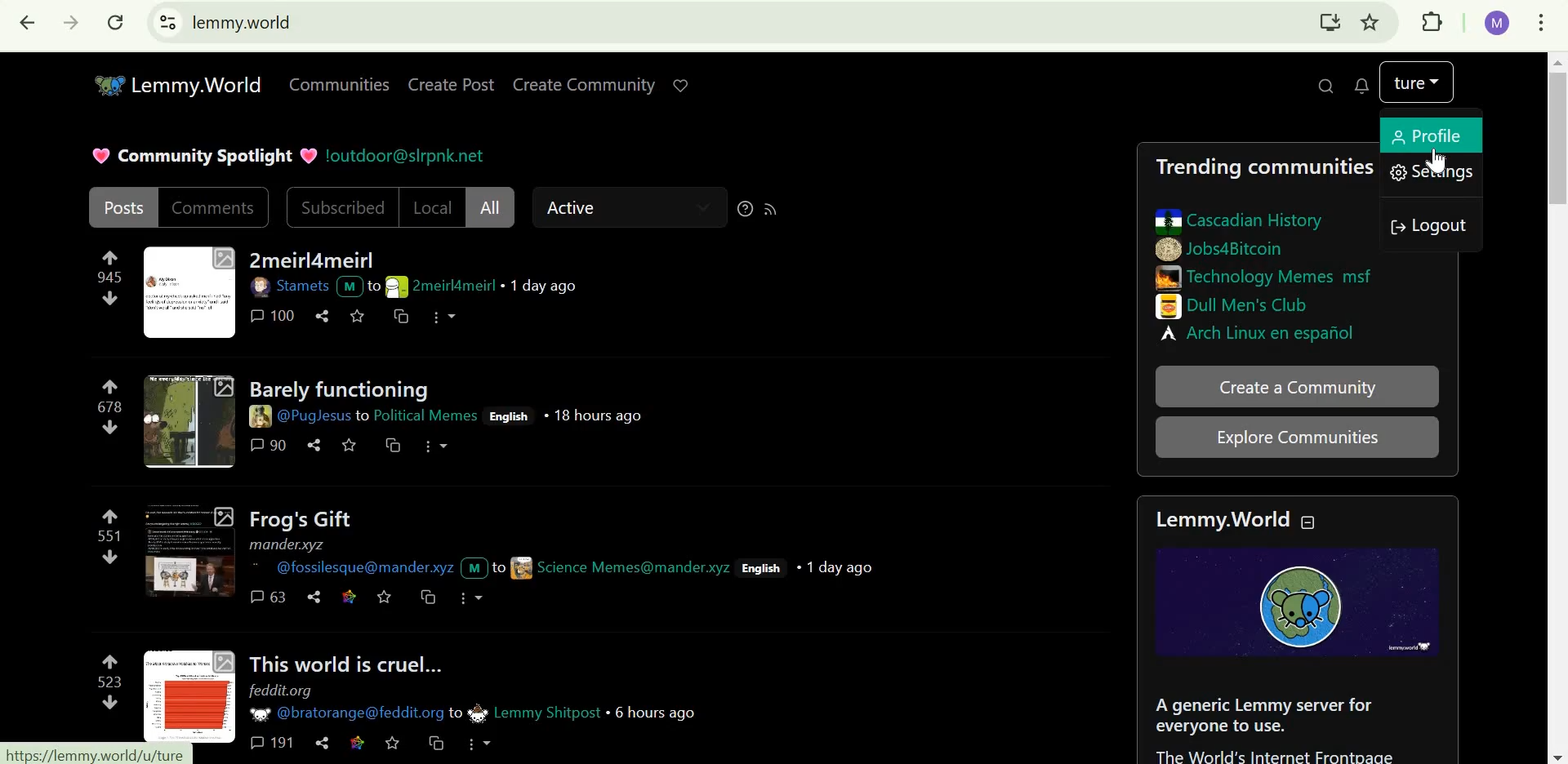  What do you see at coordinates (1364, 84) in the screenshot?
I see `0 unread messages` at bounding box center [1364, 84].